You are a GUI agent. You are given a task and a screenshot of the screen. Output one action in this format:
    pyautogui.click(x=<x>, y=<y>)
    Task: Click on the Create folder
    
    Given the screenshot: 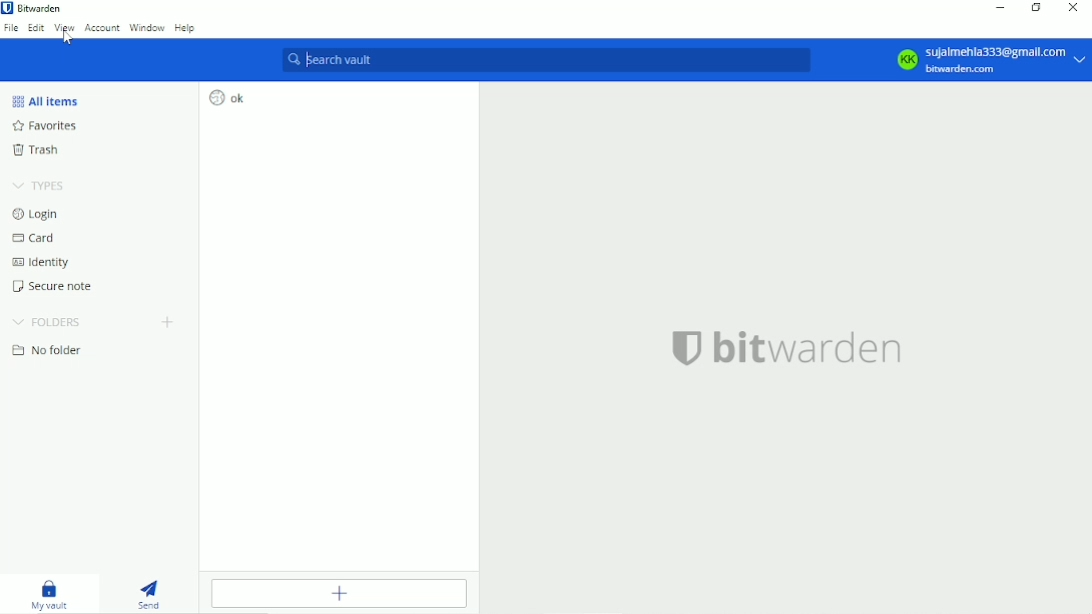 What is the action you would take?
    pyautogui.click(x=167, y=322)
    